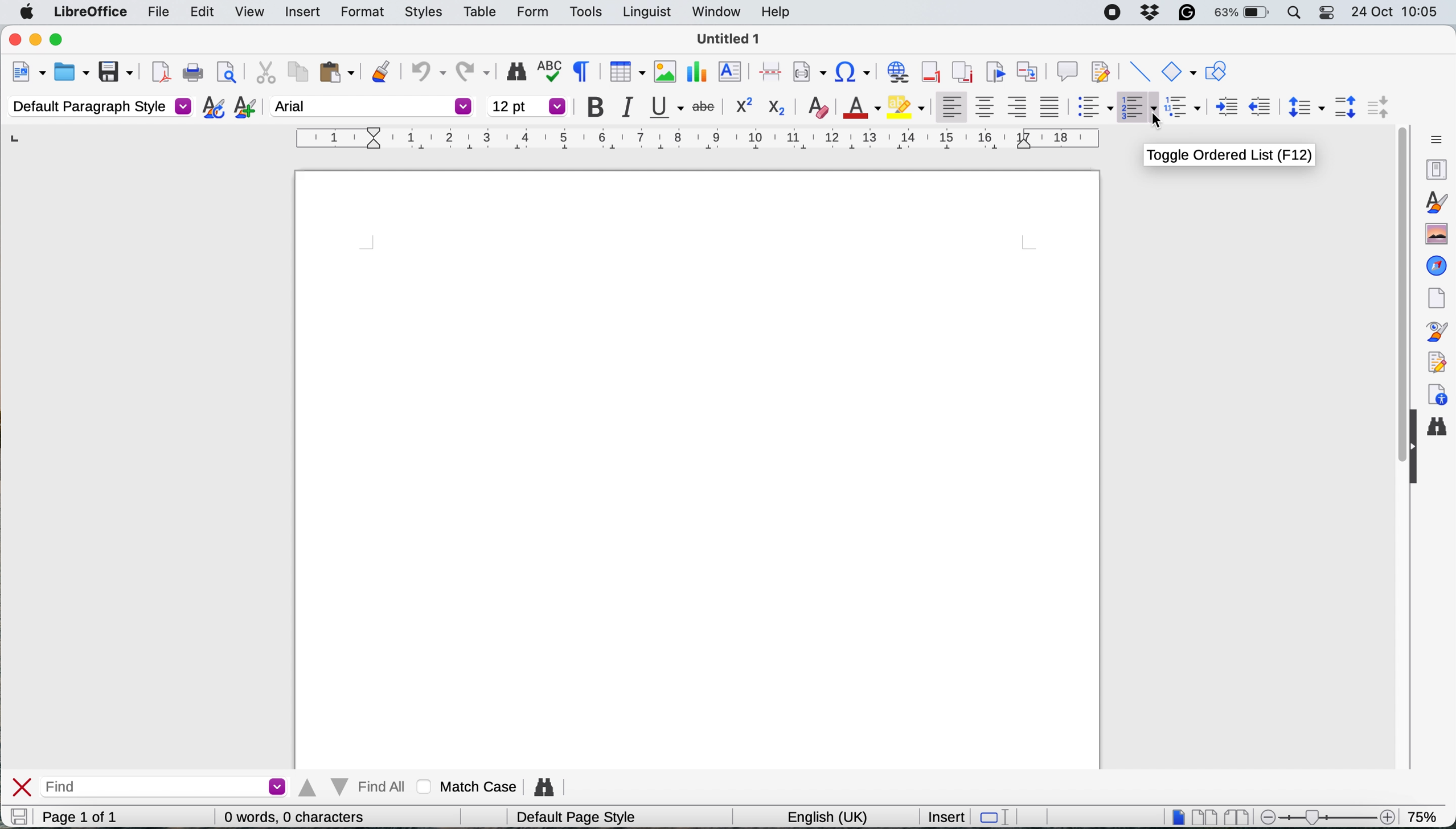  Describe the element at coordinates (728, 39) in the screenshot. I see `Untitled 1` at that location.